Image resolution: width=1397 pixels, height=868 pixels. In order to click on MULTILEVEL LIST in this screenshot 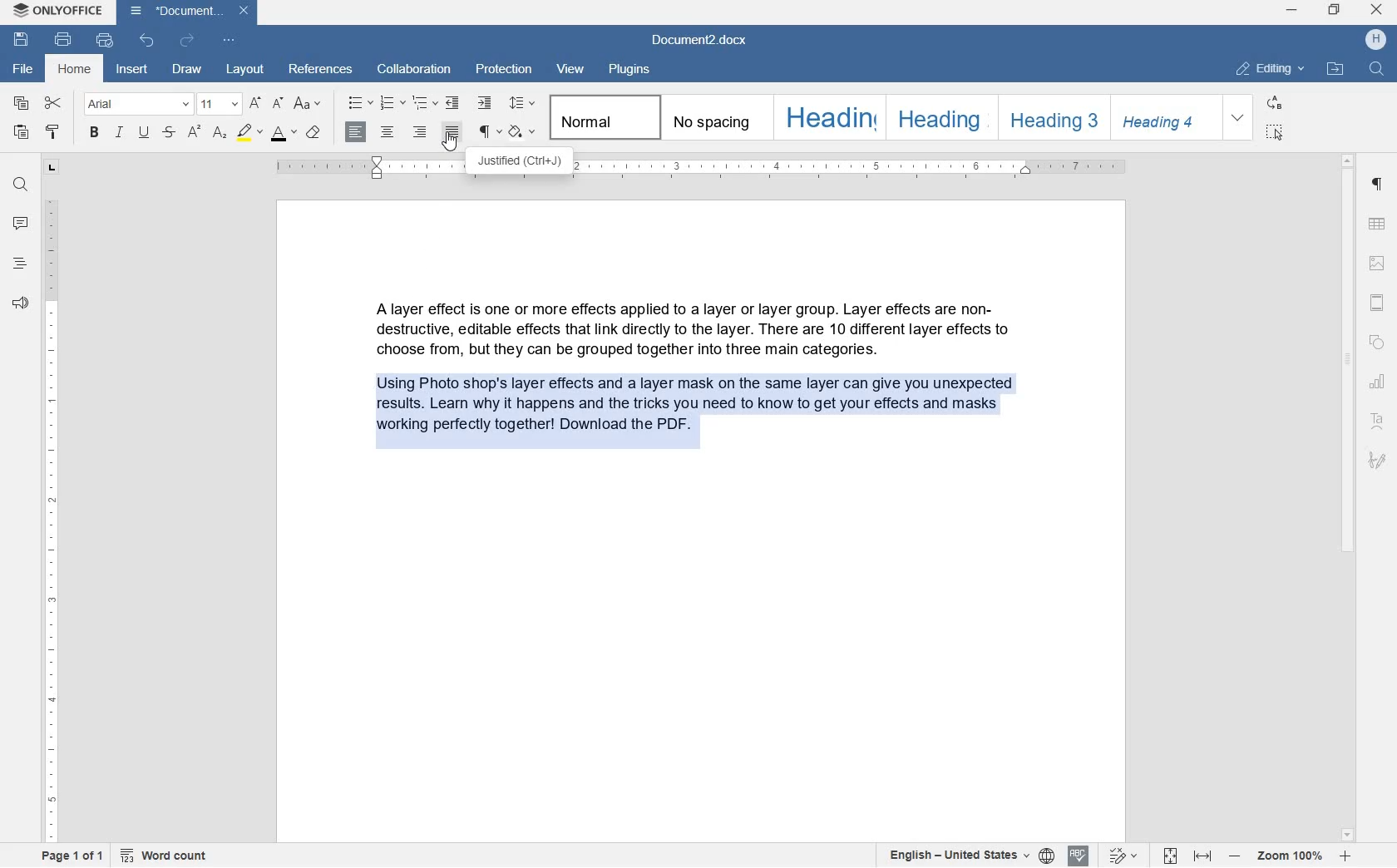, I will do `click(423, 102)`.